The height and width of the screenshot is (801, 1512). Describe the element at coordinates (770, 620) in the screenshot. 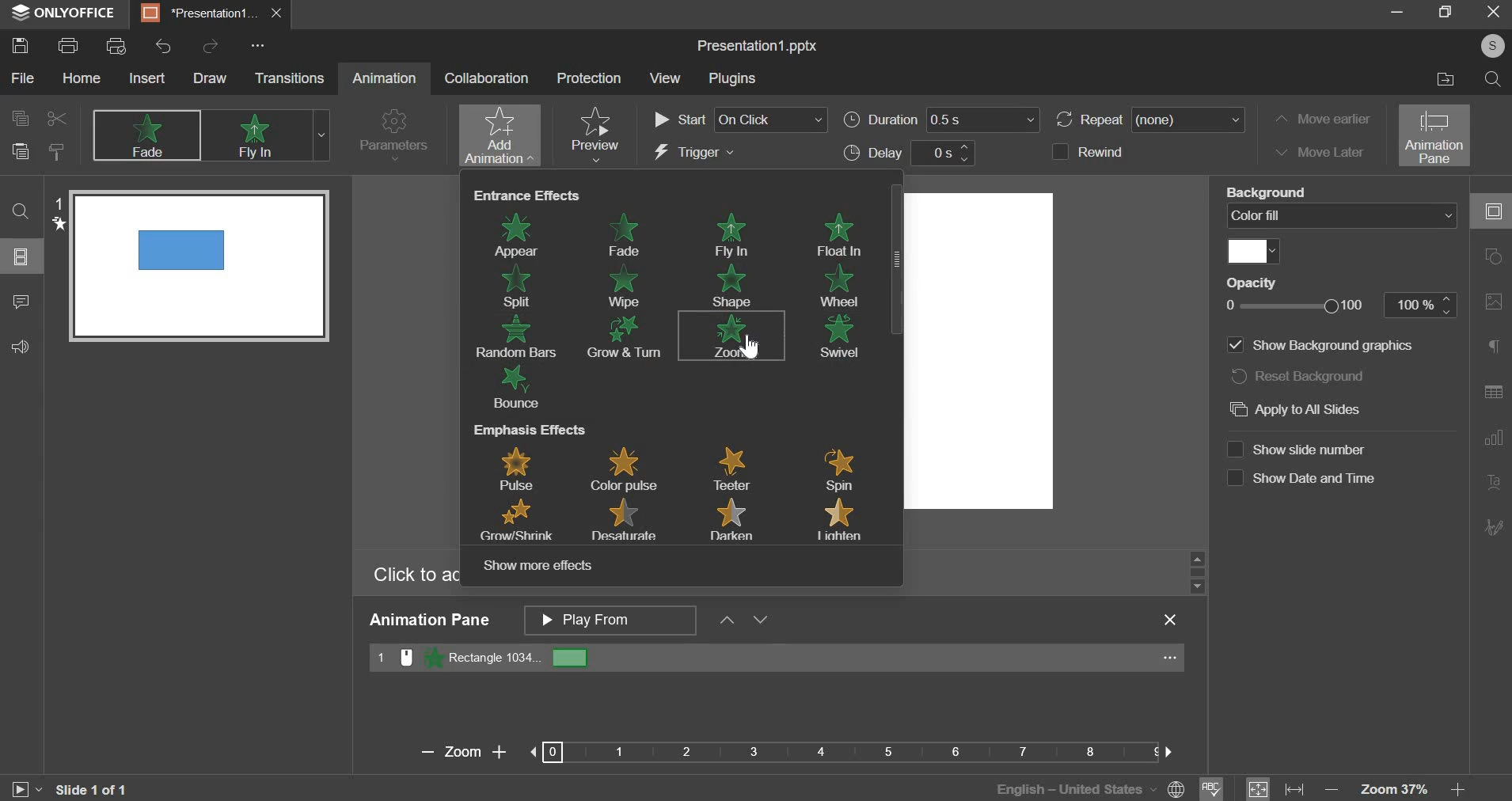

I see `Move Down` at that location.